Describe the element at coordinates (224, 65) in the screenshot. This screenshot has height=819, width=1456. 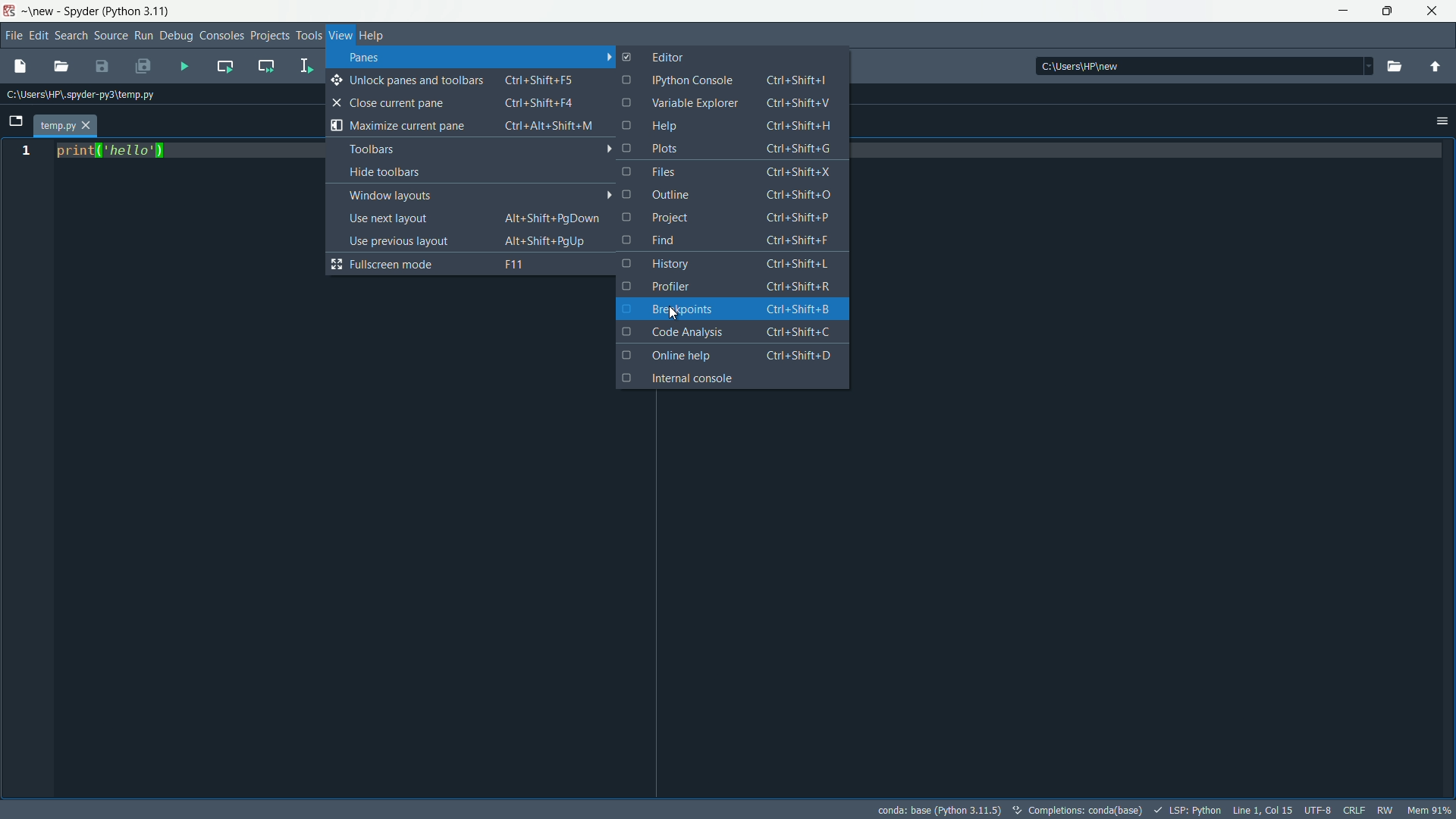
I see `run current cell` at that location.